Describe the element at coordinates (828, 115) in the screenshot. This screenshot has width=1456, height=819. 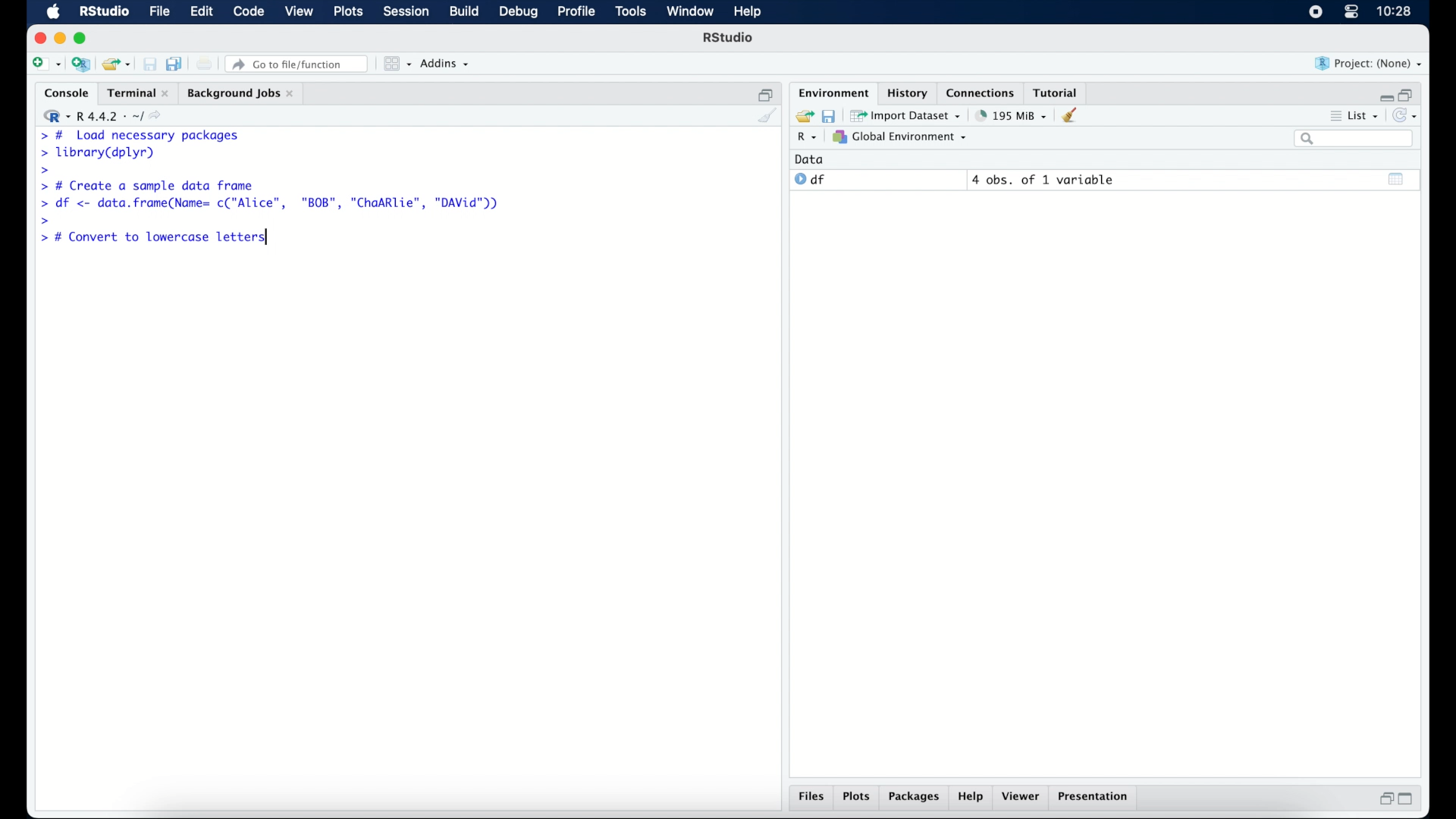
I see `save` at that location.